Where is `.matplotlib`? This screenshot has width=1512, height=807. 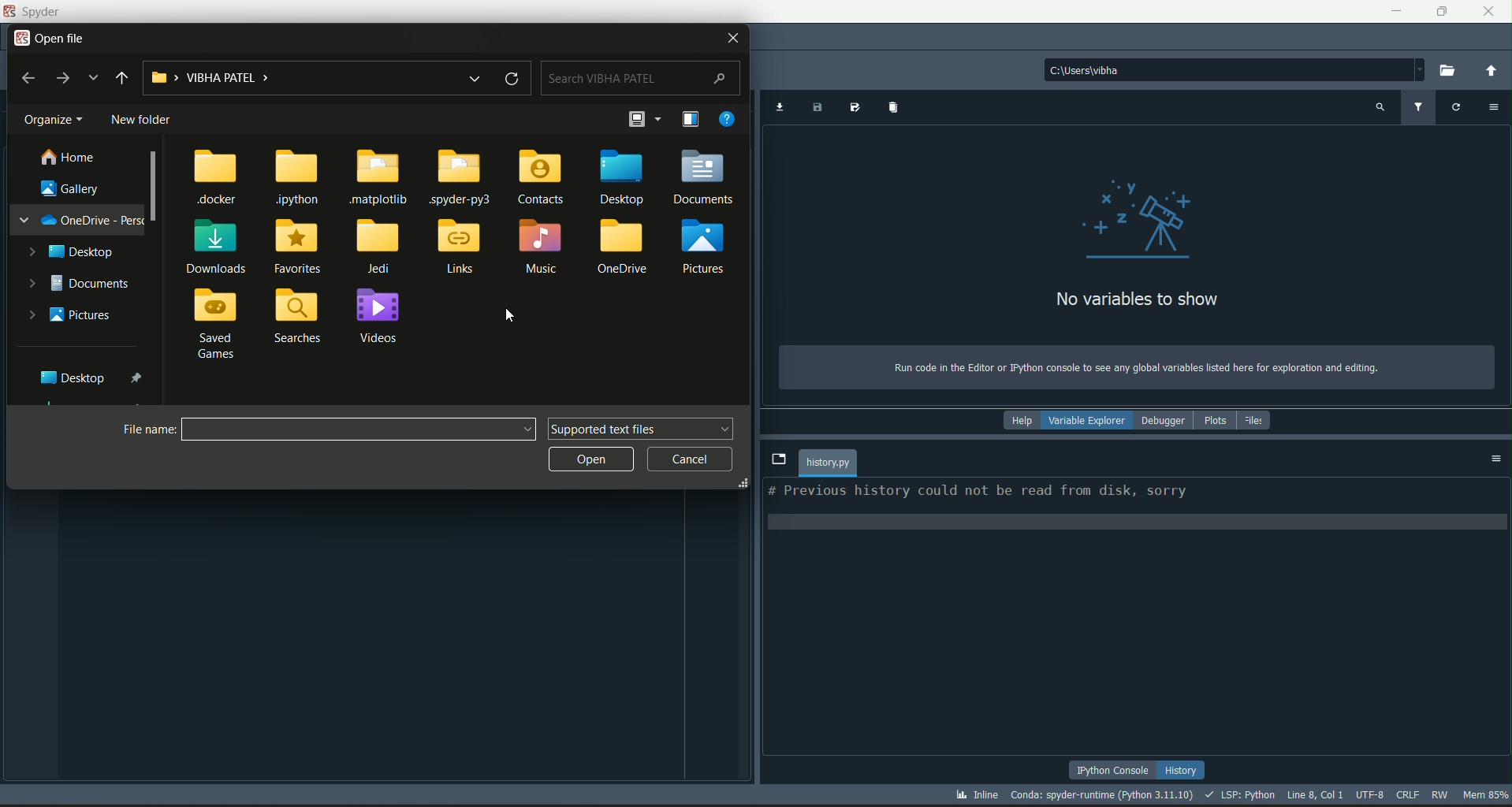 .matplotlib is located at coordinates (382, 177).